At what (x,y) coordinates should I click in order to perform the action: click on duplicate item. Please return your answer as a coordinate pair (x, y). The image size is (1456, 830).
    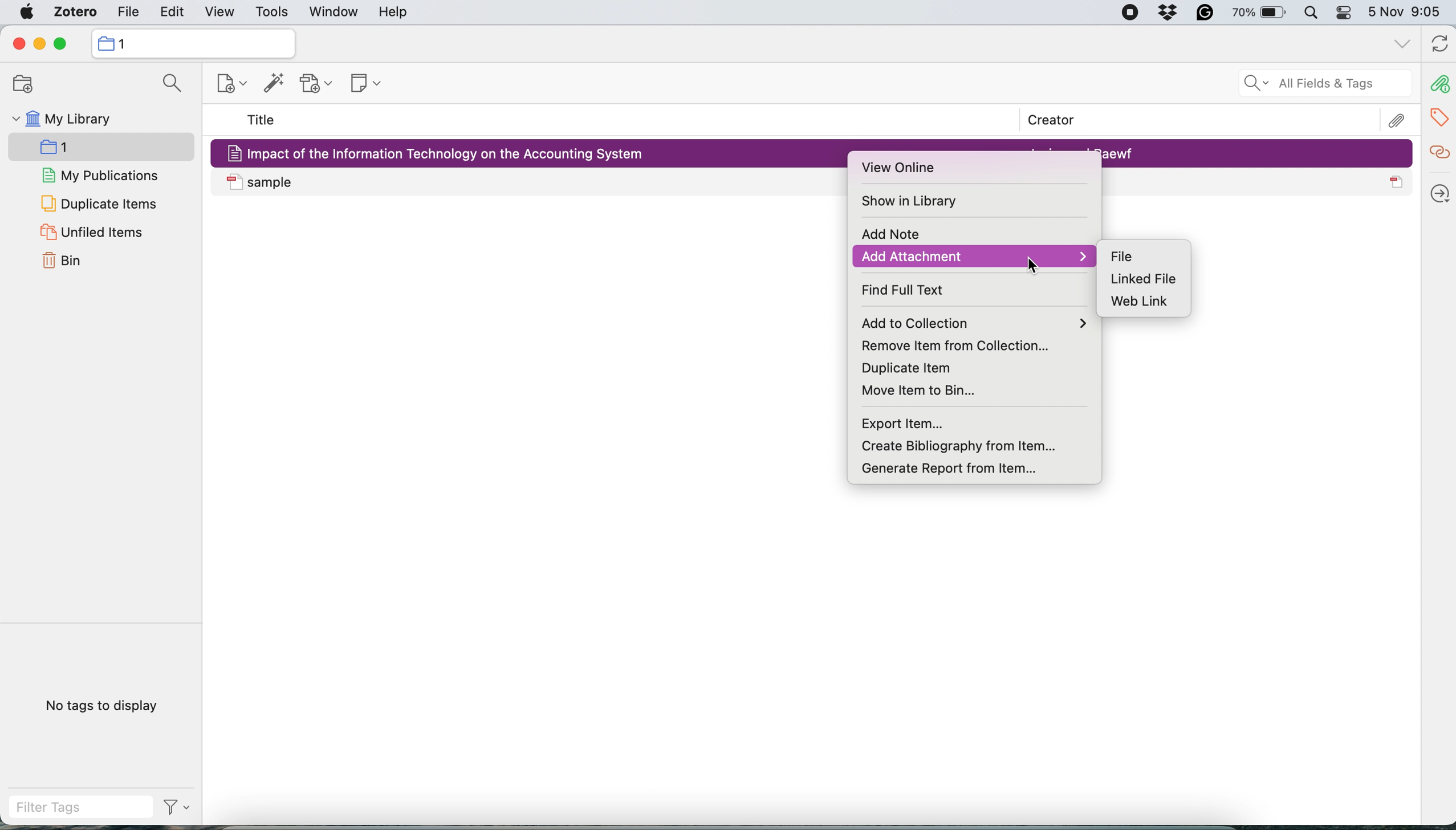
    Looking at the image, I should click on (903, 367).